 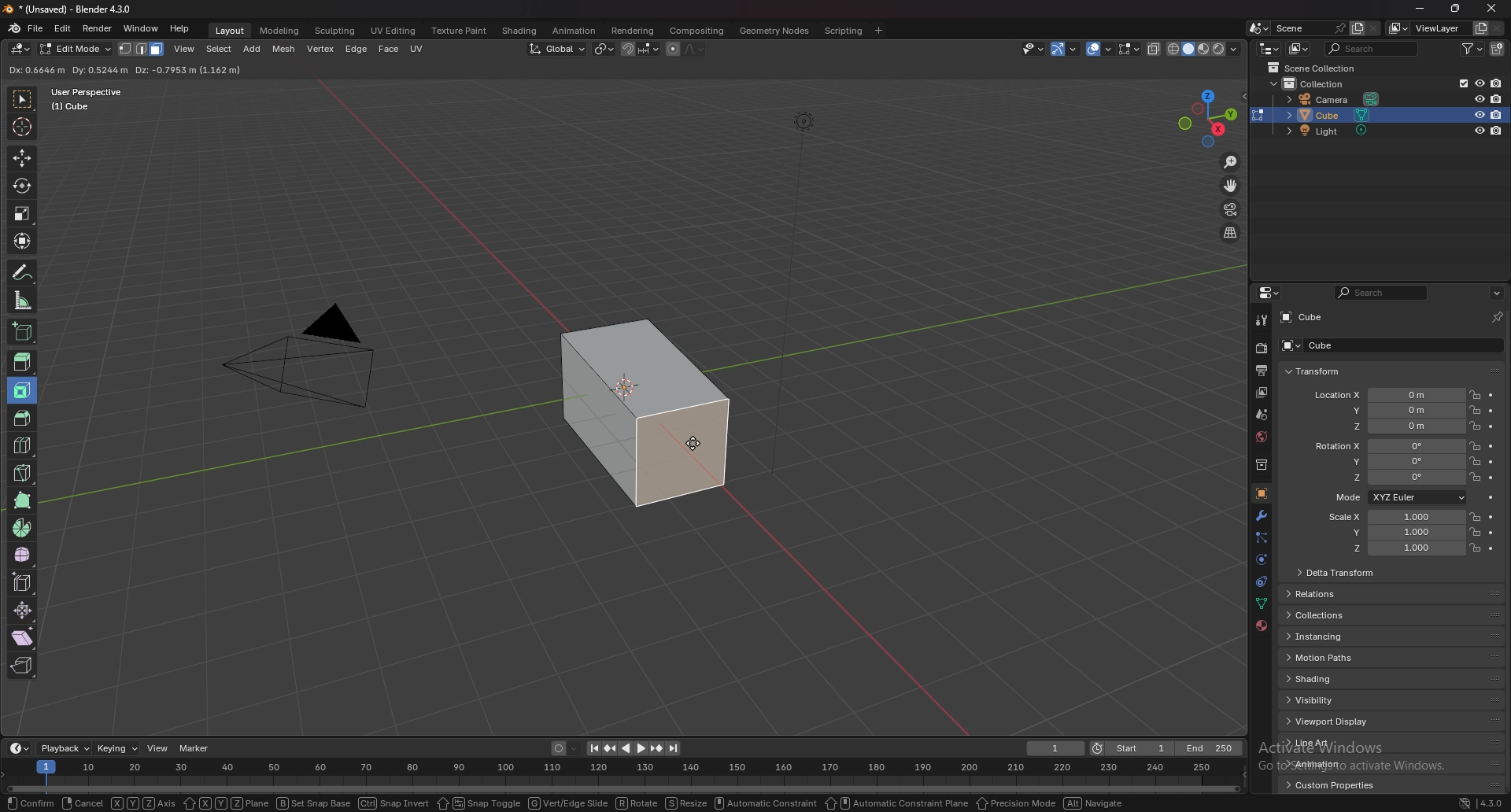 I want to click on rotation y, so click(x=1392, y=460).